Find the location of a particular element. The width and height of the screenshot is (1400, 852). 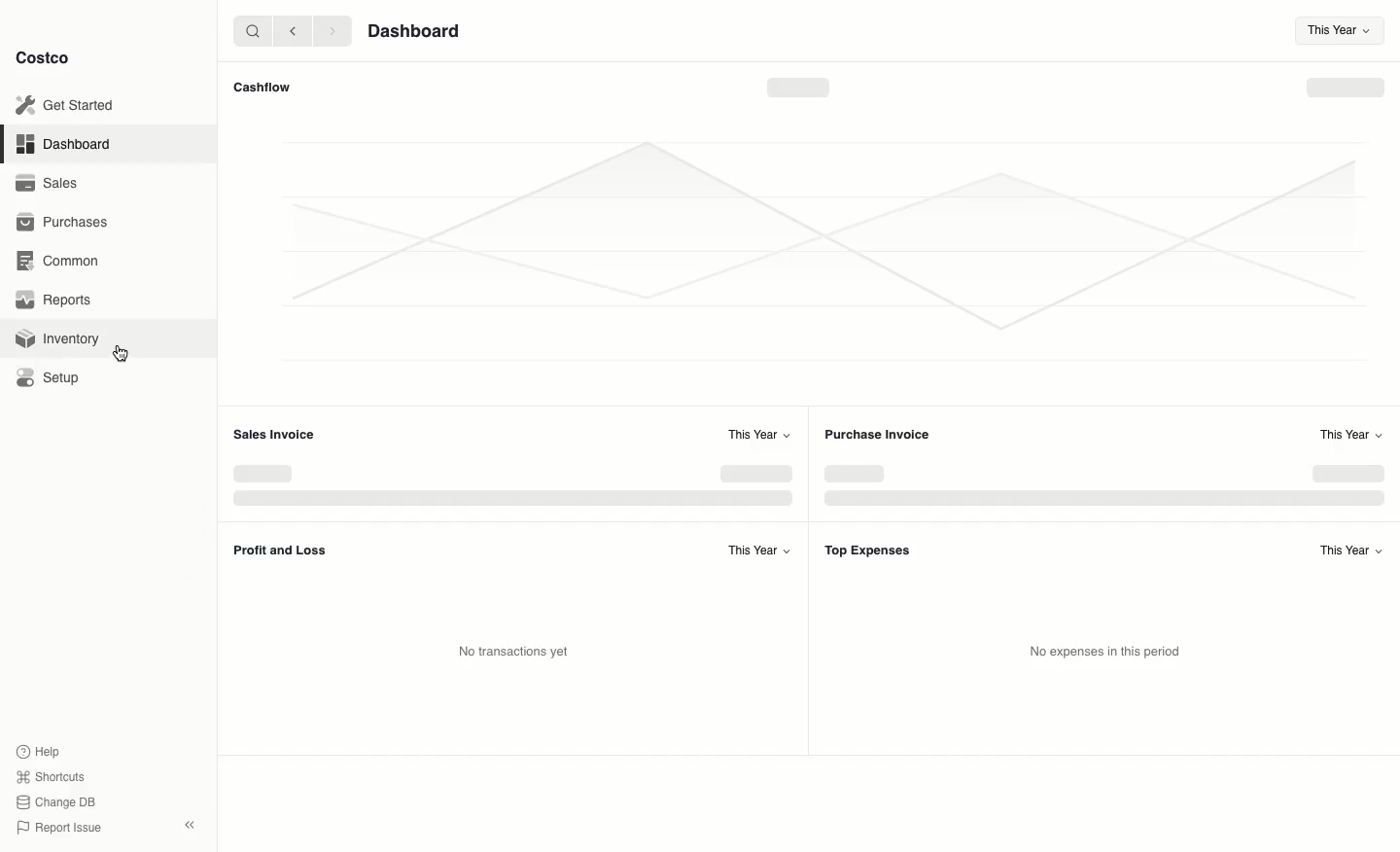

Dashboard is located at coordinates (65, 146).